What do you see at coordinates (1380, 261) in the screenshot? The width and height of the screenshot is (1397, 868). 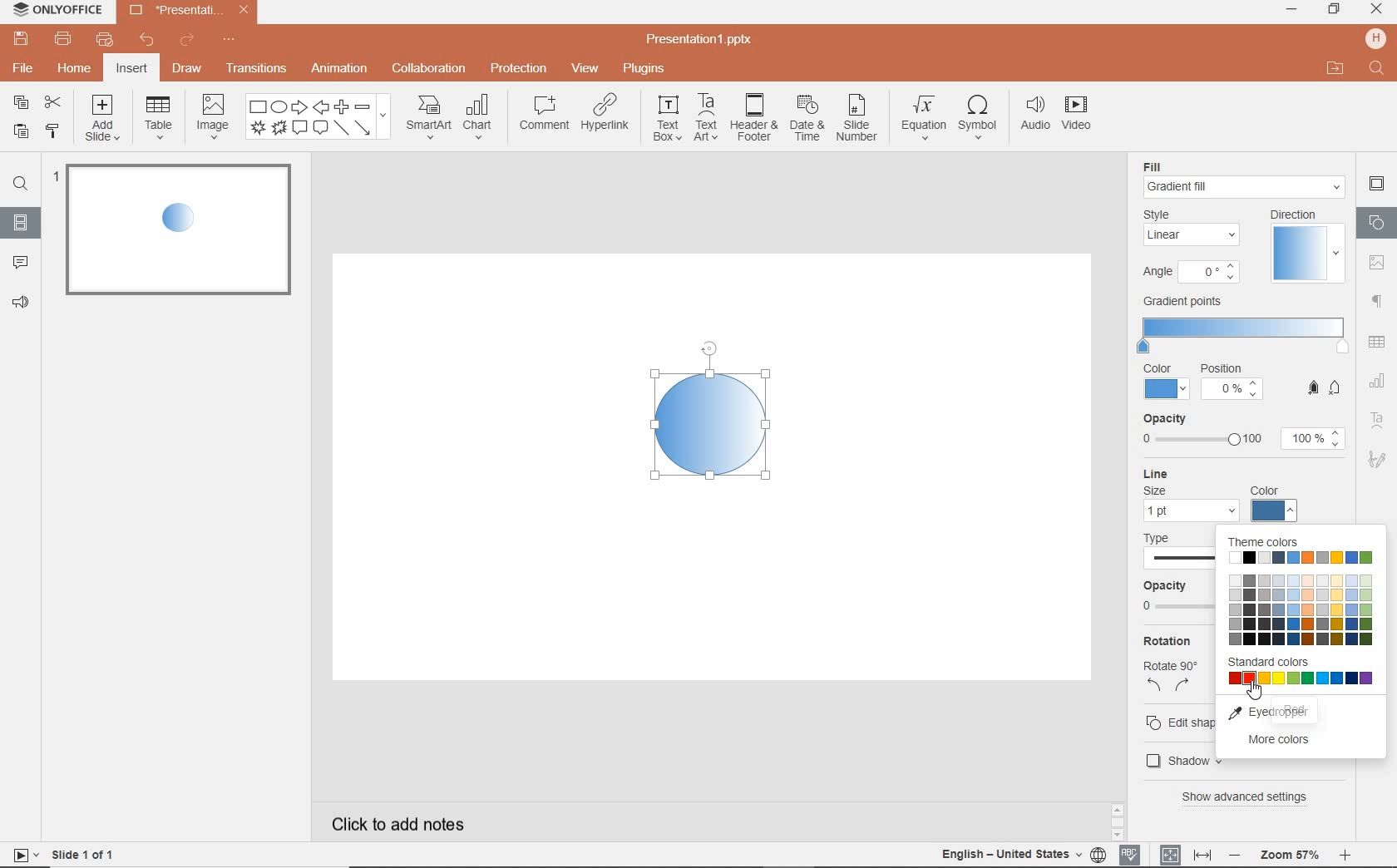 I see `image settings` at bounding box center [1380, 261].